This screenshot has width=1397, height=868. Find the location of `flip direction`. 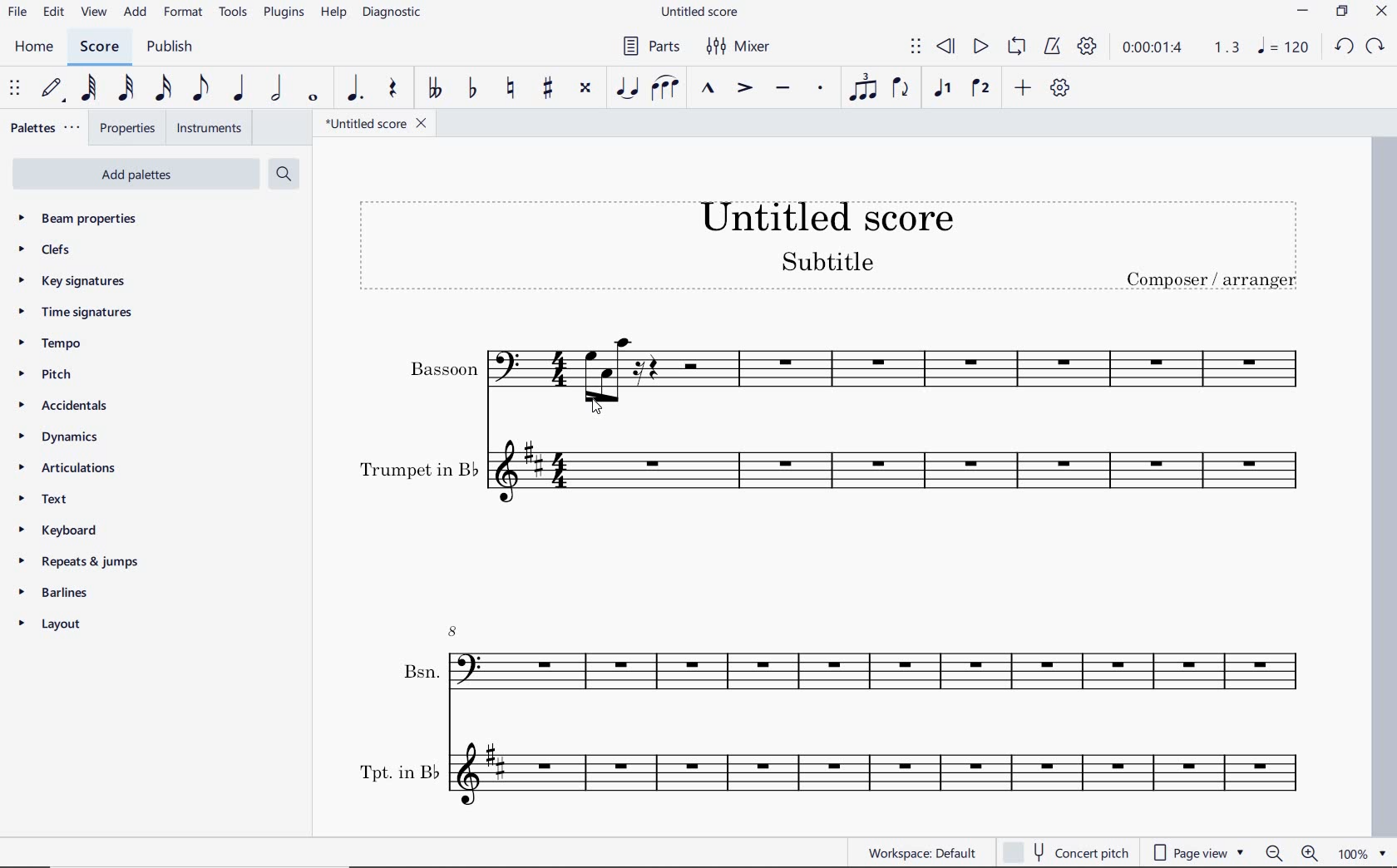

flip direction is located at coordinates (901, 89).